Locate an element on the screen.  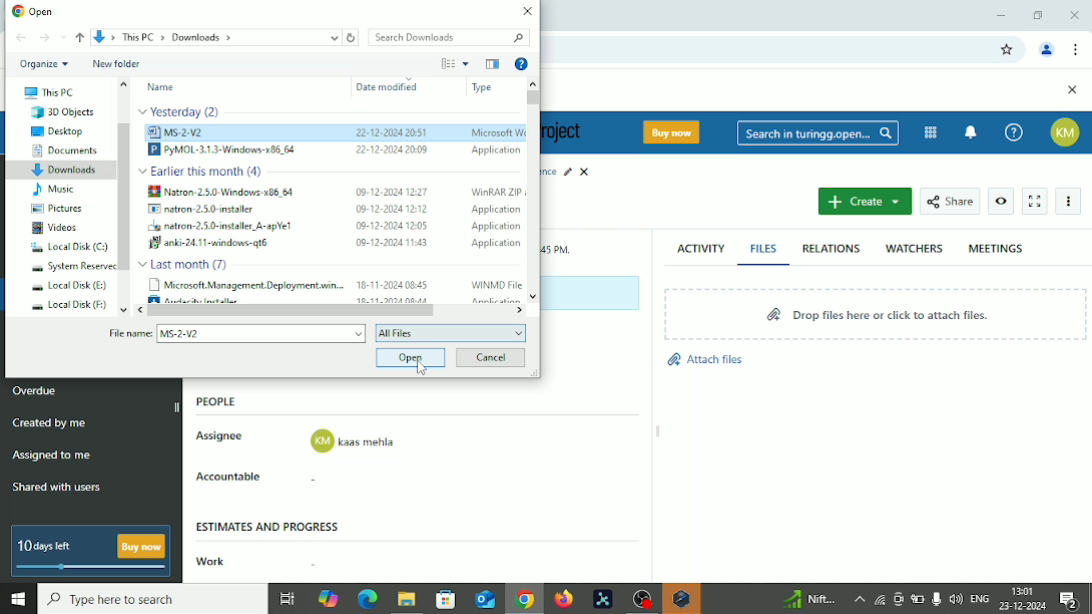
Wifi is located at coordinates (877, 599).